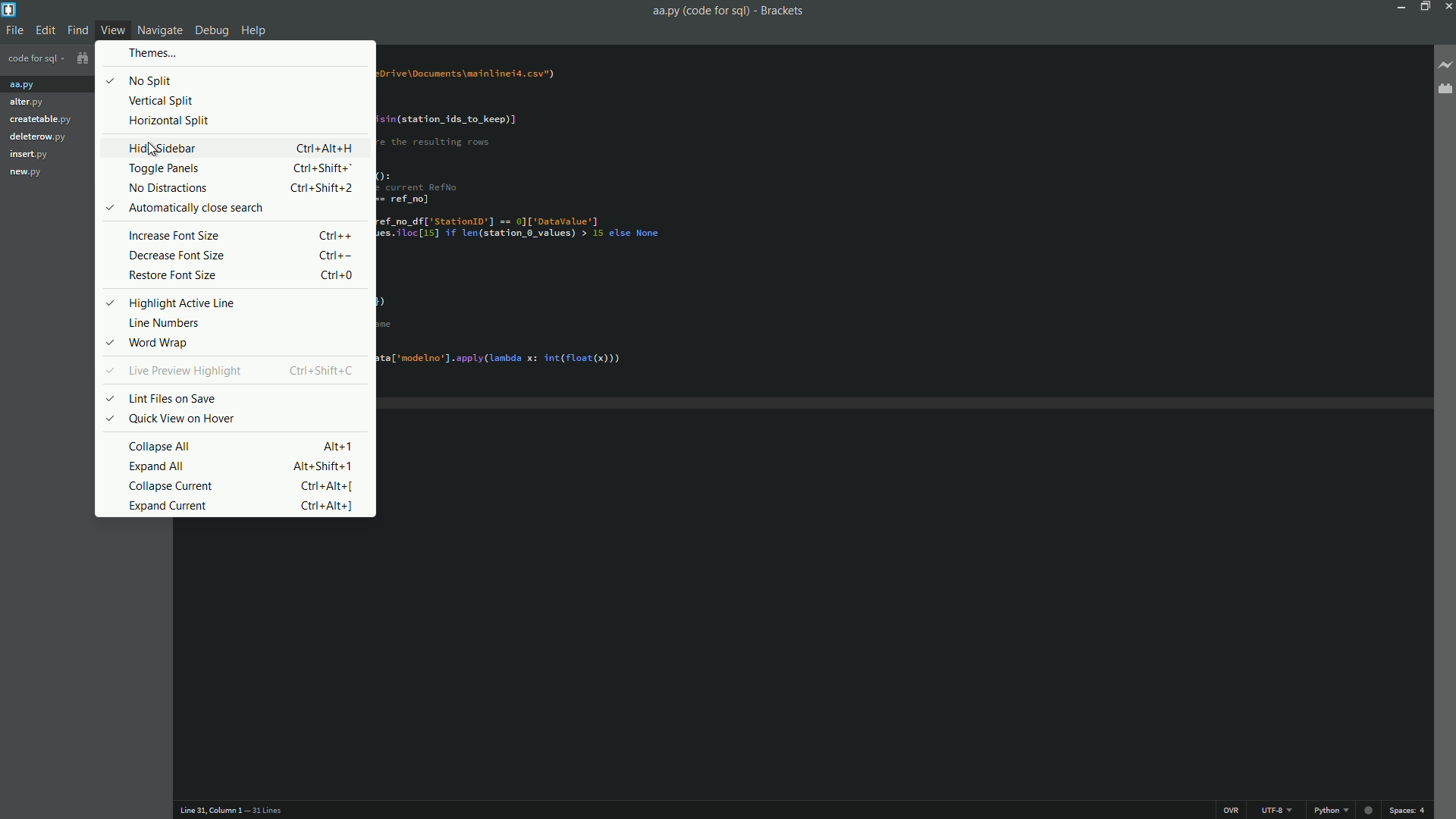 The height and width of the screenshot is (819, 1456). Describe the element at coordinates (166, 169) in the screenshot. I see `toggle panels button` at that location.